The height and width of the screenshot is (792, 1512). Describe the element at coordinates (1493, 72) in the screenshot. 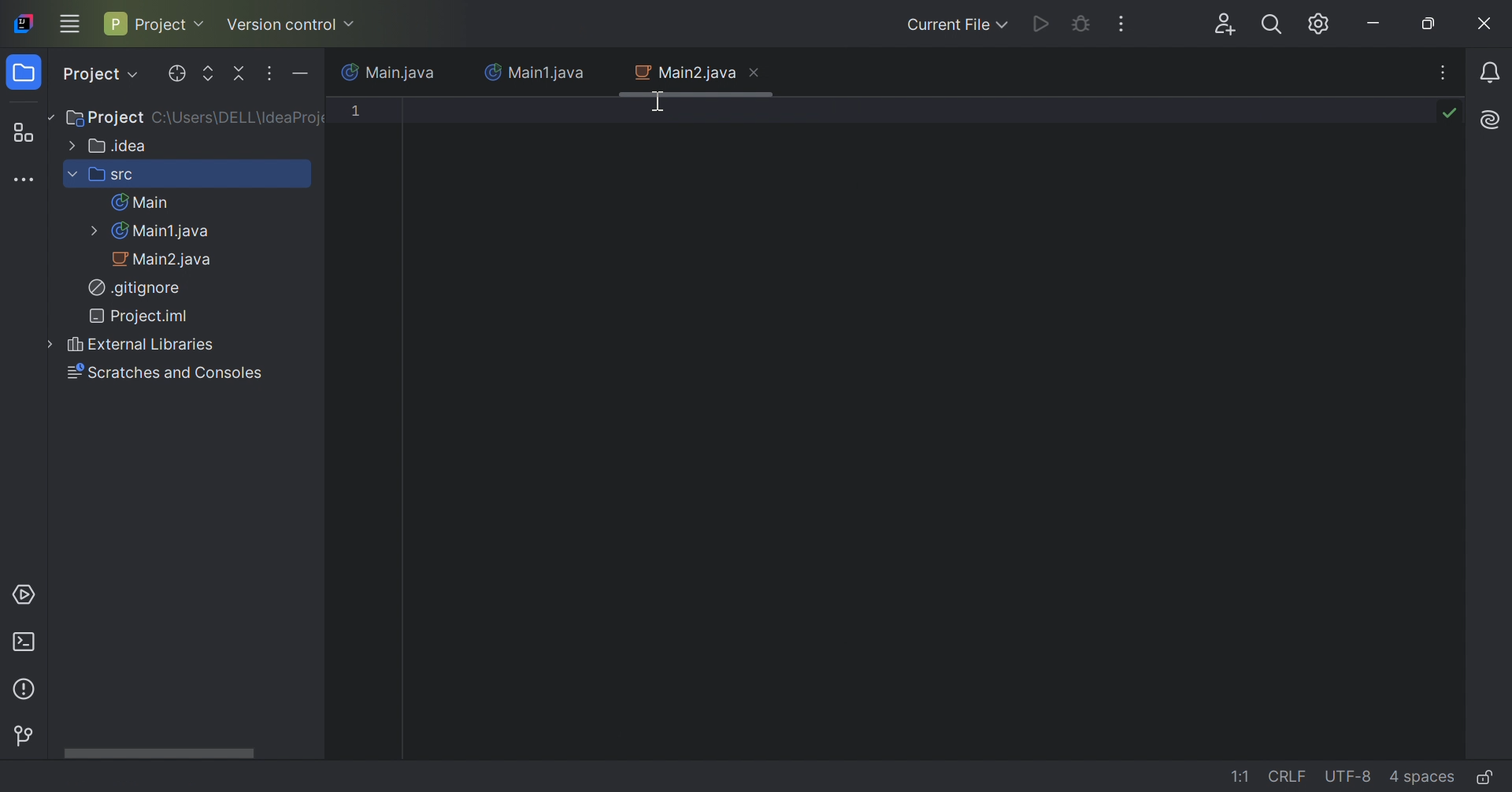

I see `Notifications` at that location.